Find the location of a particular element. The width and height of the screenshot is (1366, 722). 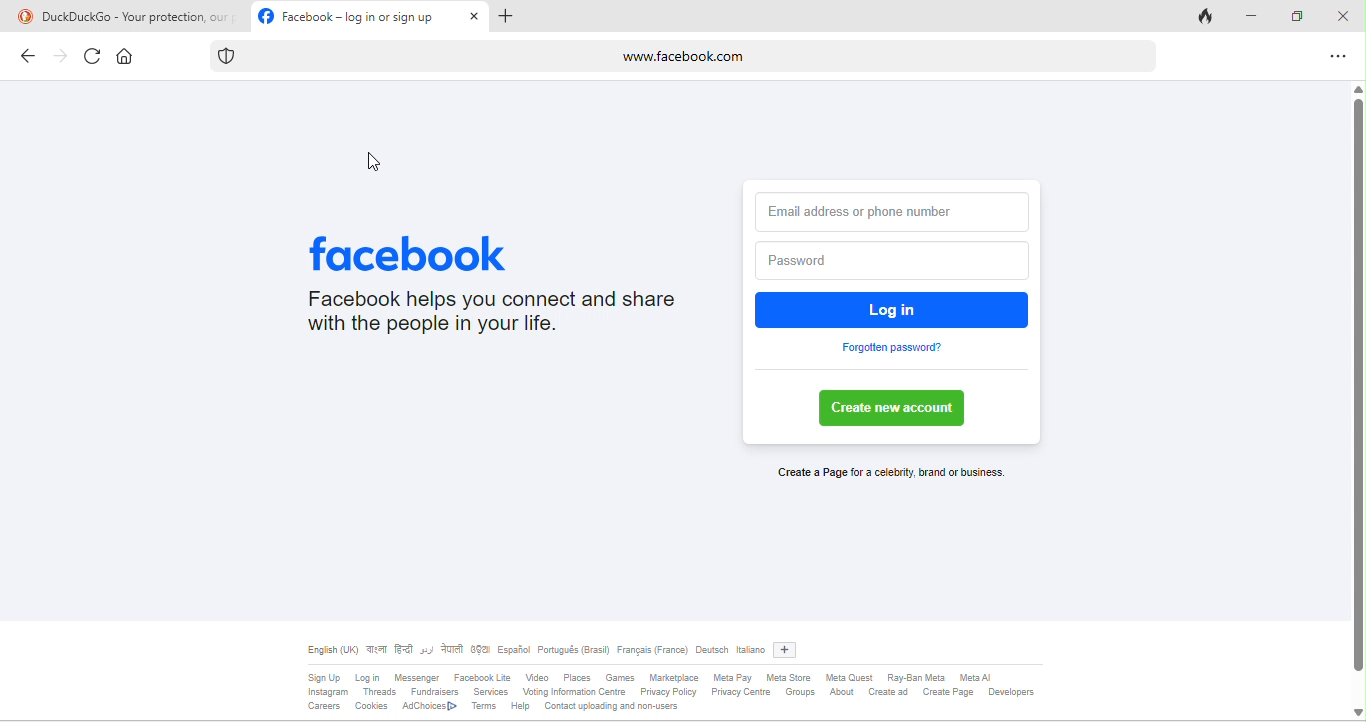

maximize is located at coordinates (1304, 17).